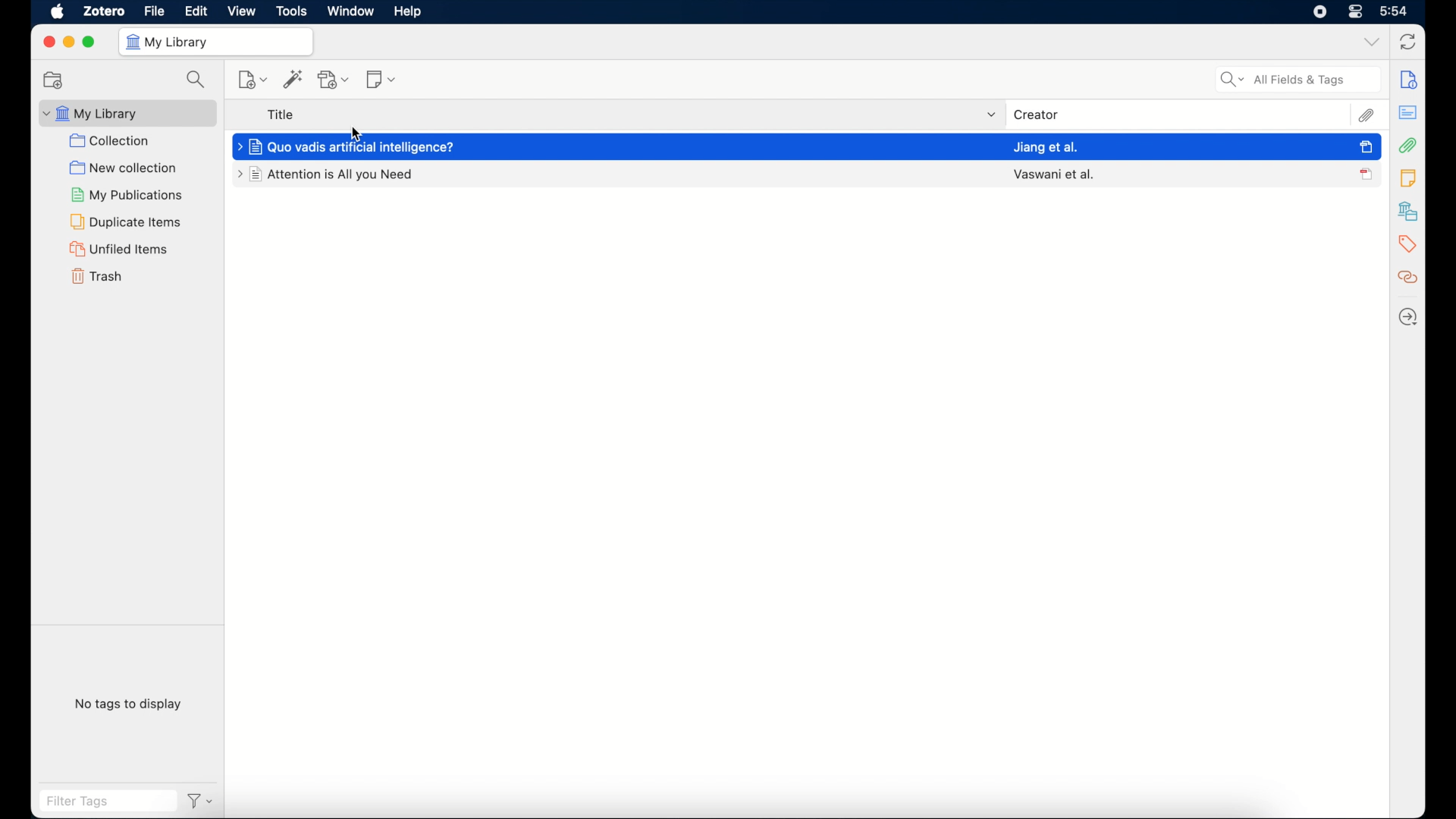 The height and width of the screenshot is (819, 1456). Describe the element at coordinates (47, 41) in the screenshot. I see `close` at that location.